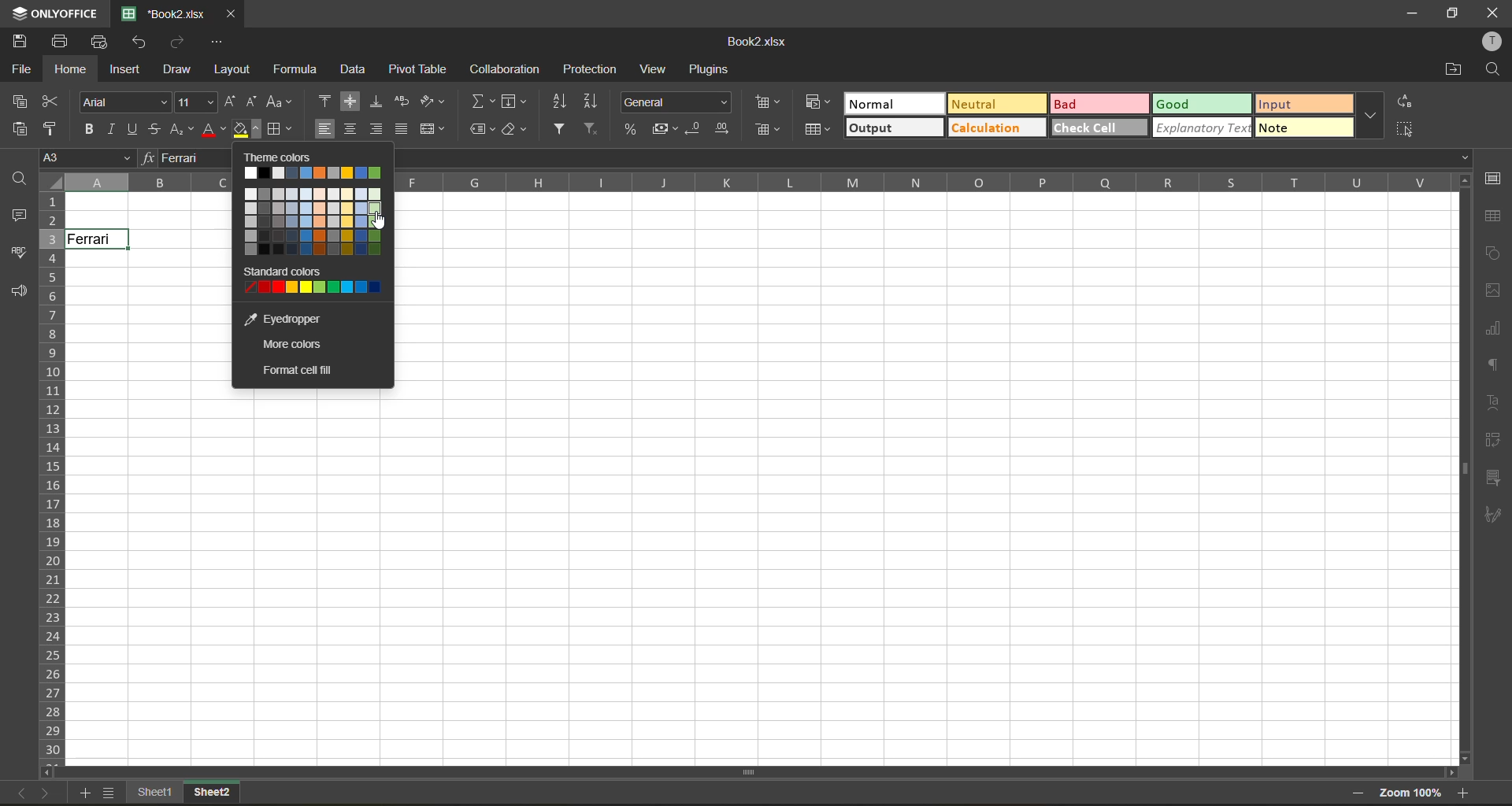  What do you see at coordinates (699, 127) in the screenshot?
I see `decrease decimal` at bounding box center [699, 127].